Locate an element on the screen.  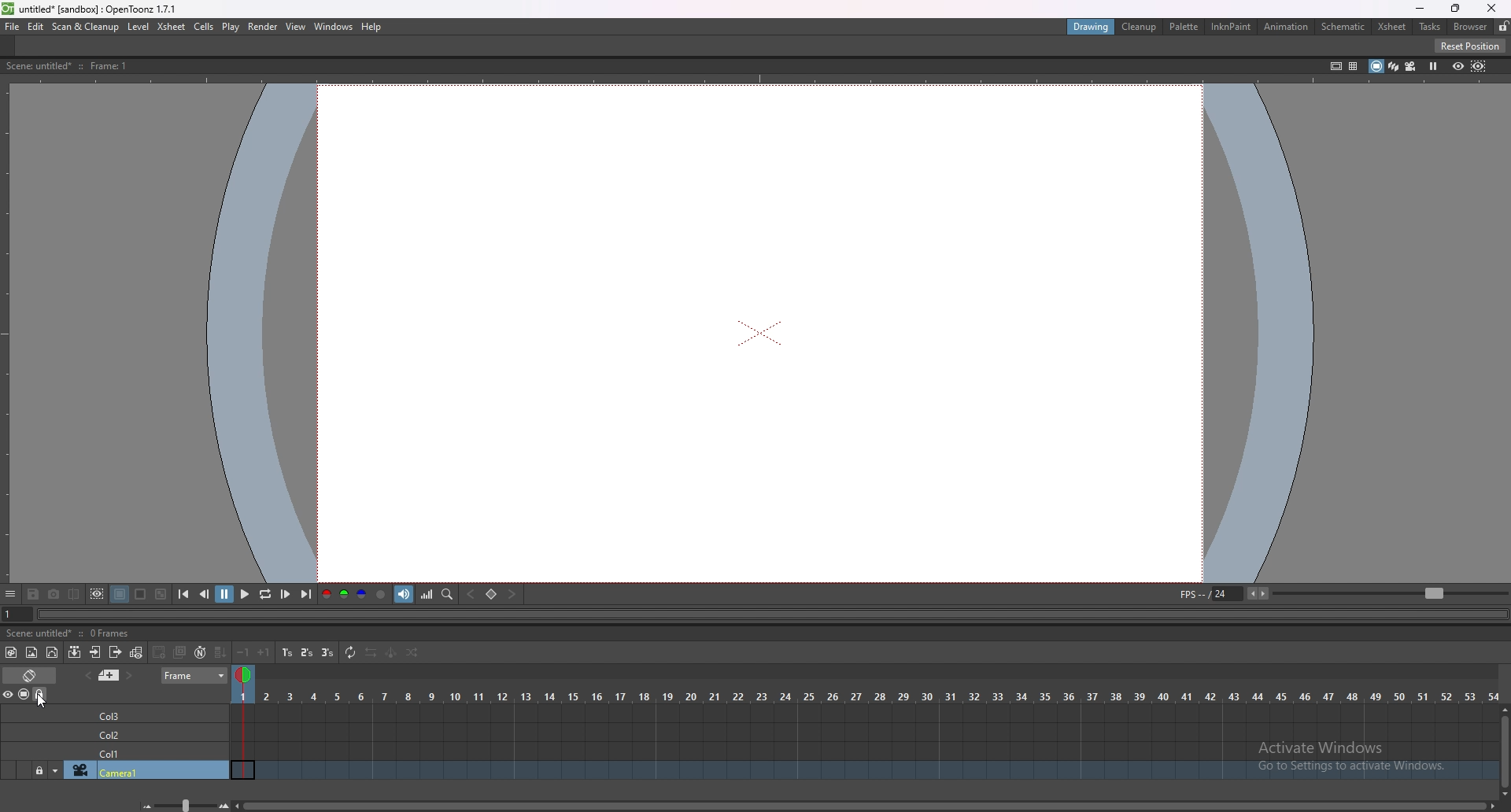
lock is located at coordinates (1503, 26).